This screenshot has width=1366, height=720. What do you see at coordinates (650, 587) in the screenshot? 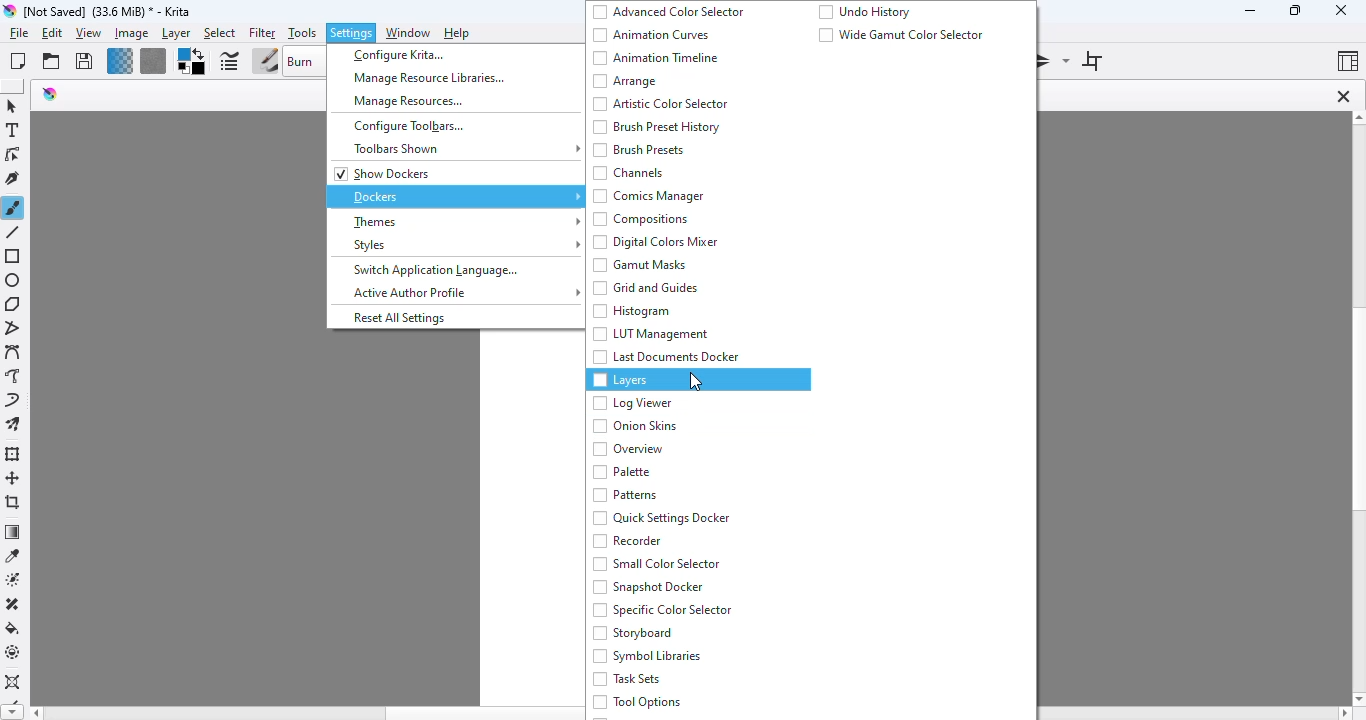
I see `snapshot docker` at bounding box center [650, 587].